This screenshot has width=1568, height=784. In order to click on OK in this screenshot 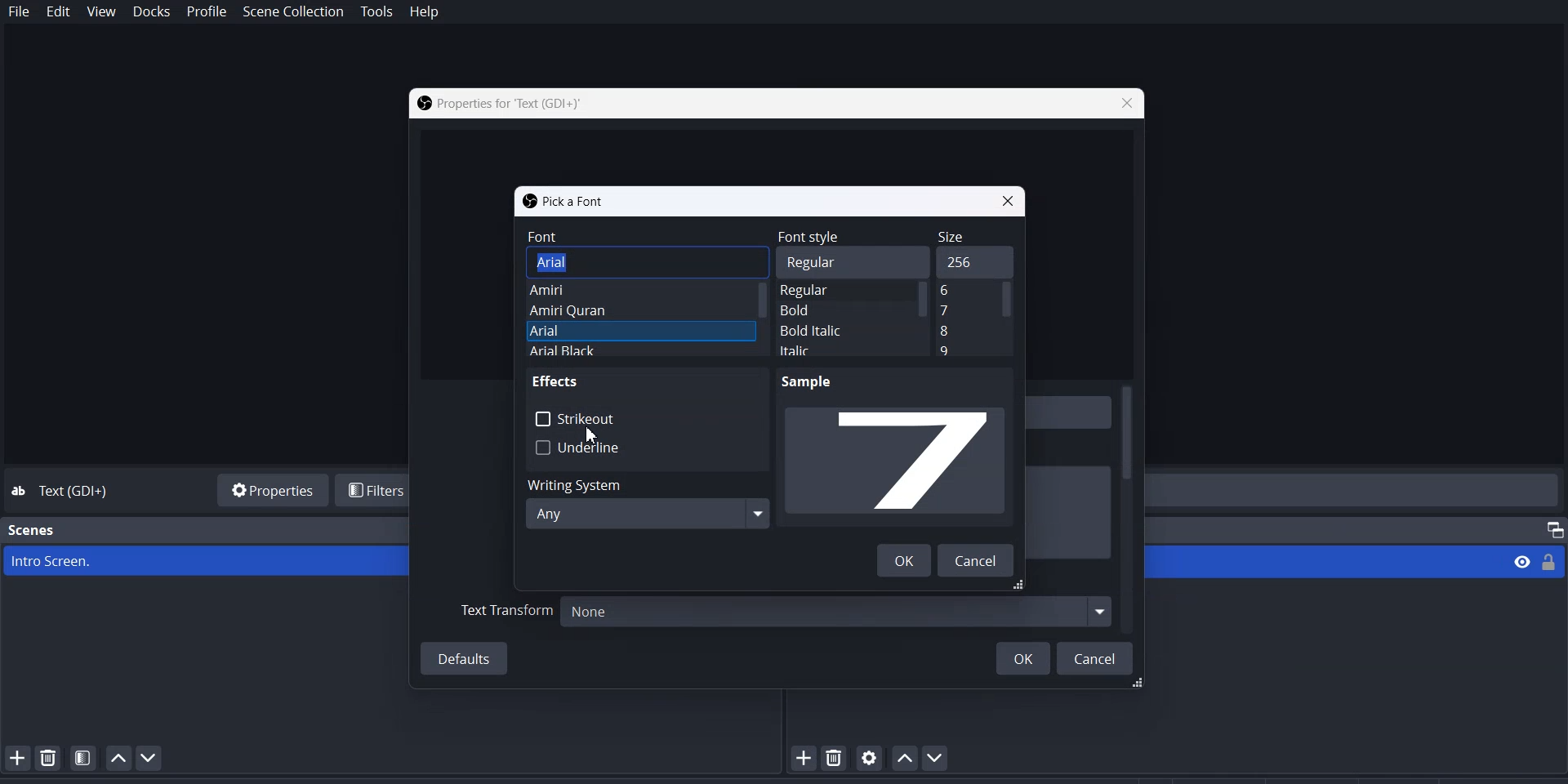, I will do `click(903, 560)`.